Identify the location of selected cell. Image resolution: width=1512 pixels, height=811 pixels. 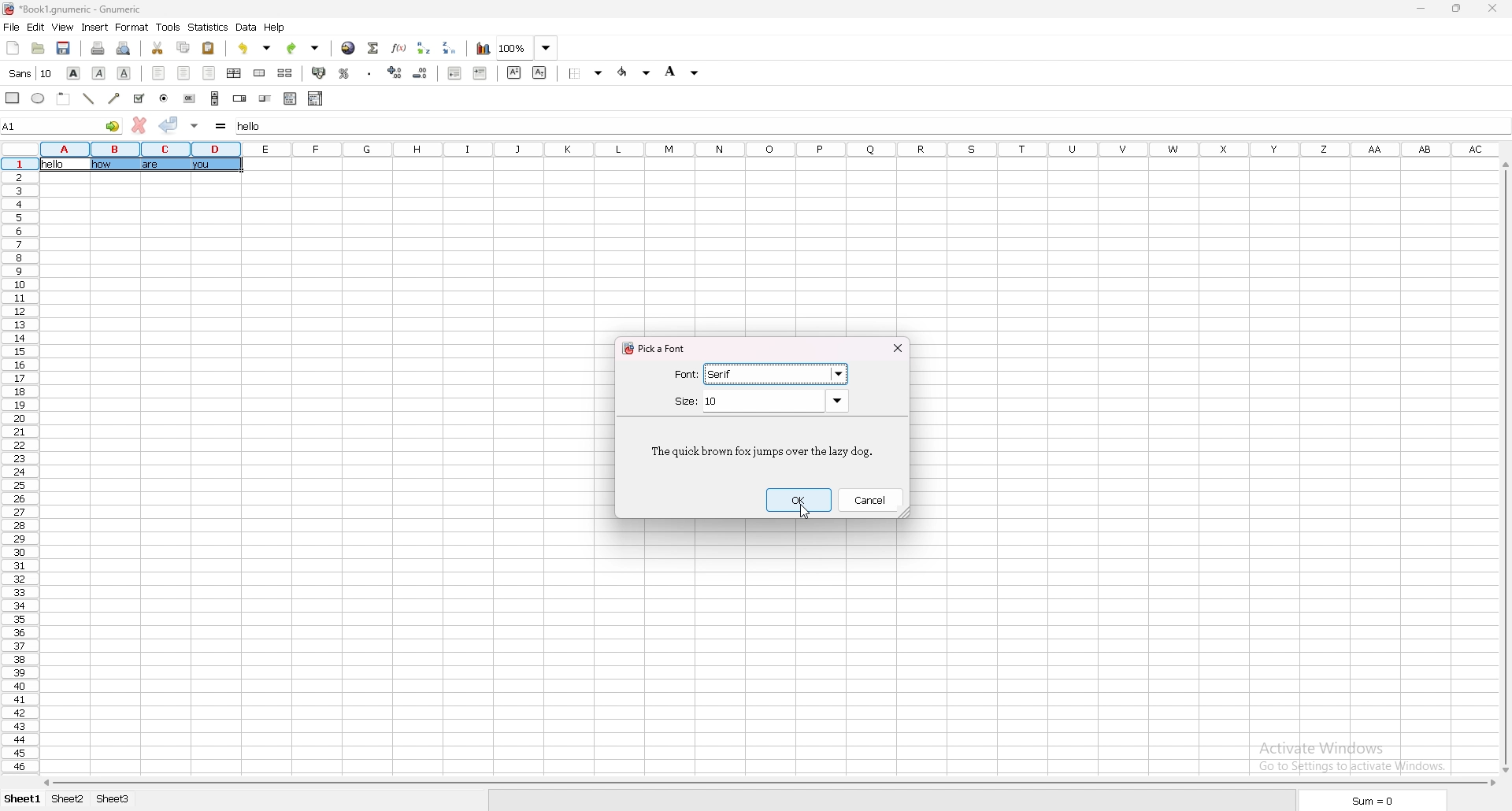
(65, 165).